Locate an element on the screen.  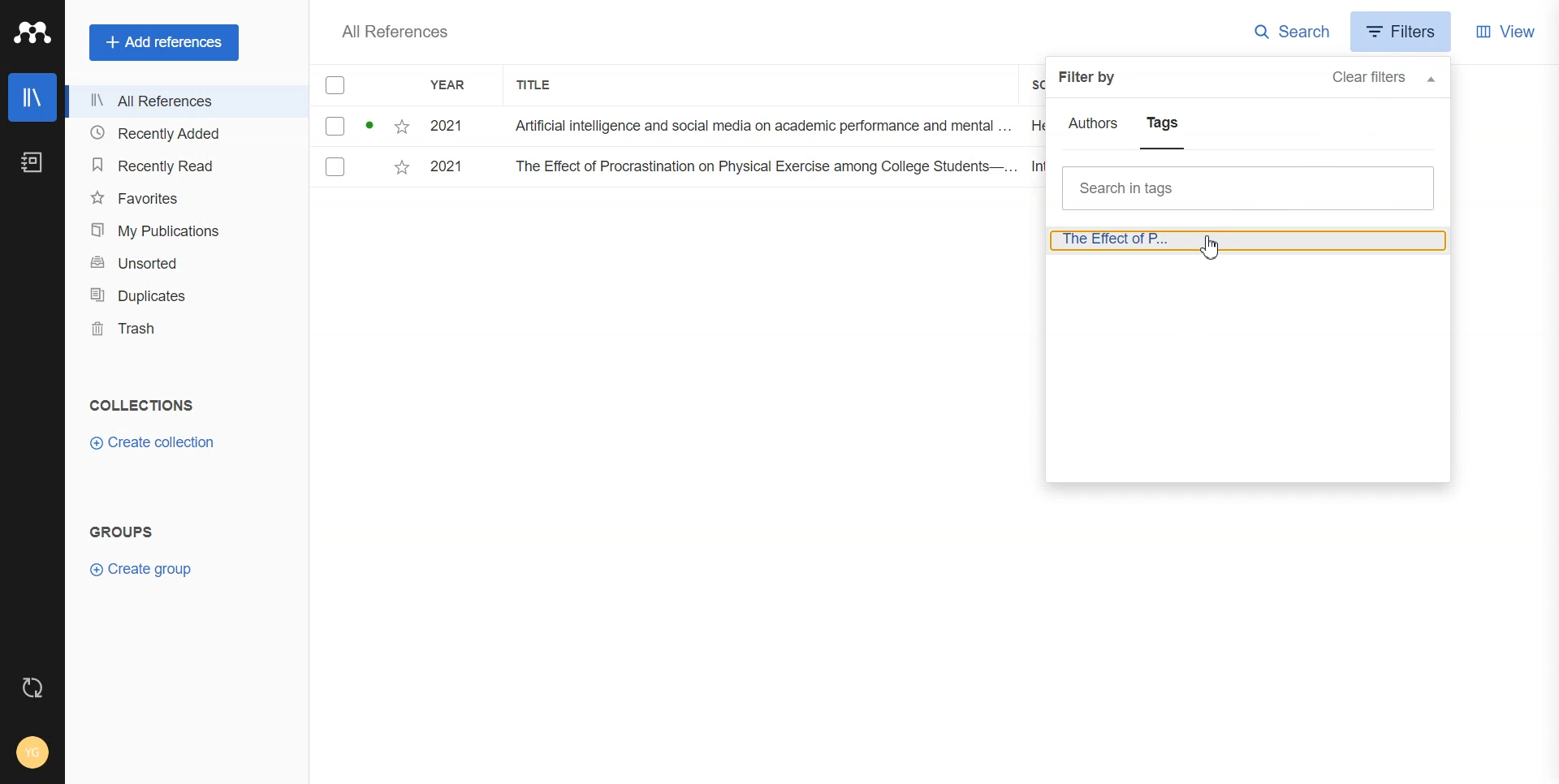
Text is located at coordinates (1090, 77).